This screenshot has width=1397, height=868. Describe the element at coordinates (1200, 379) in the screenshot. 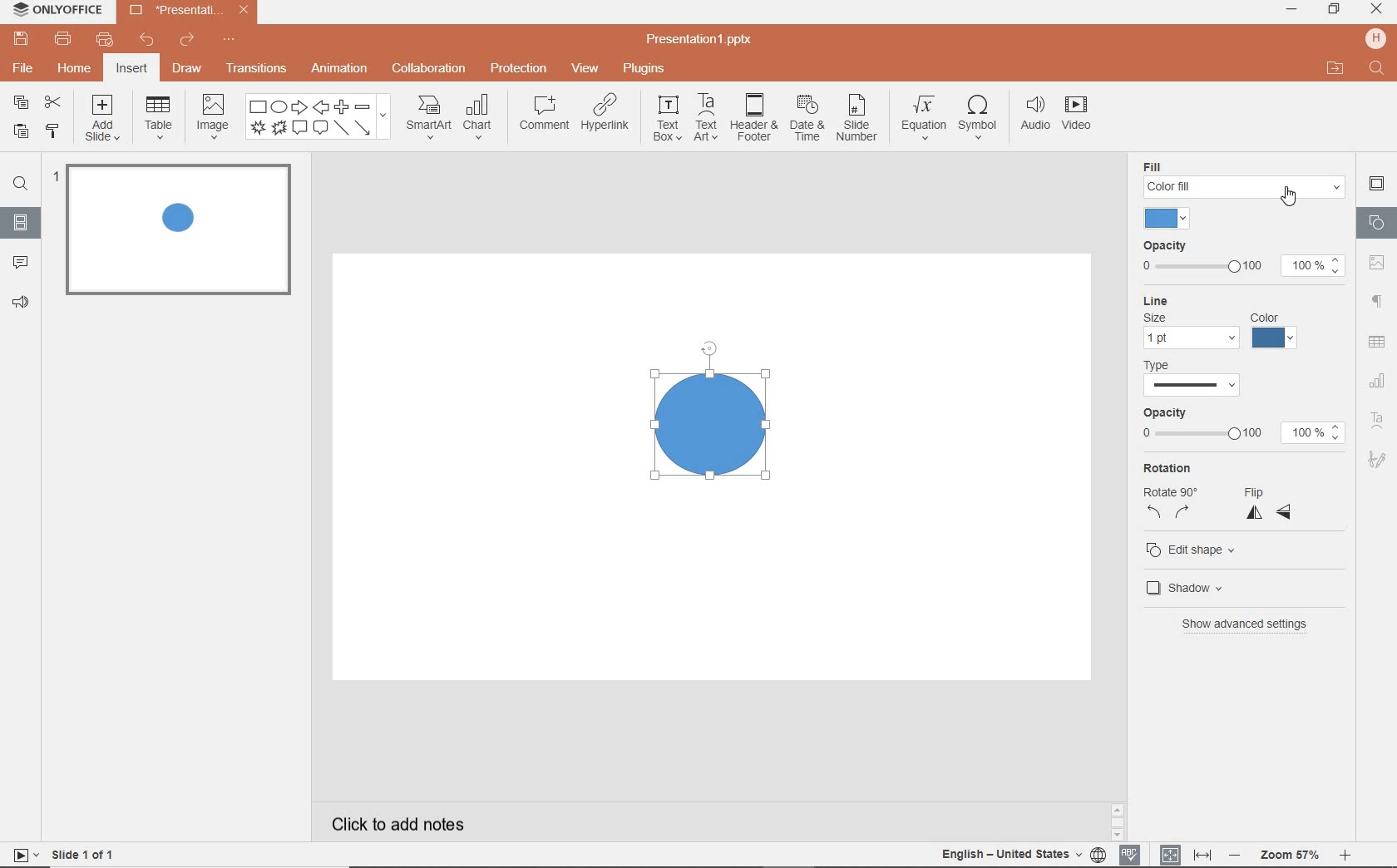

I see `line Type` at that location.